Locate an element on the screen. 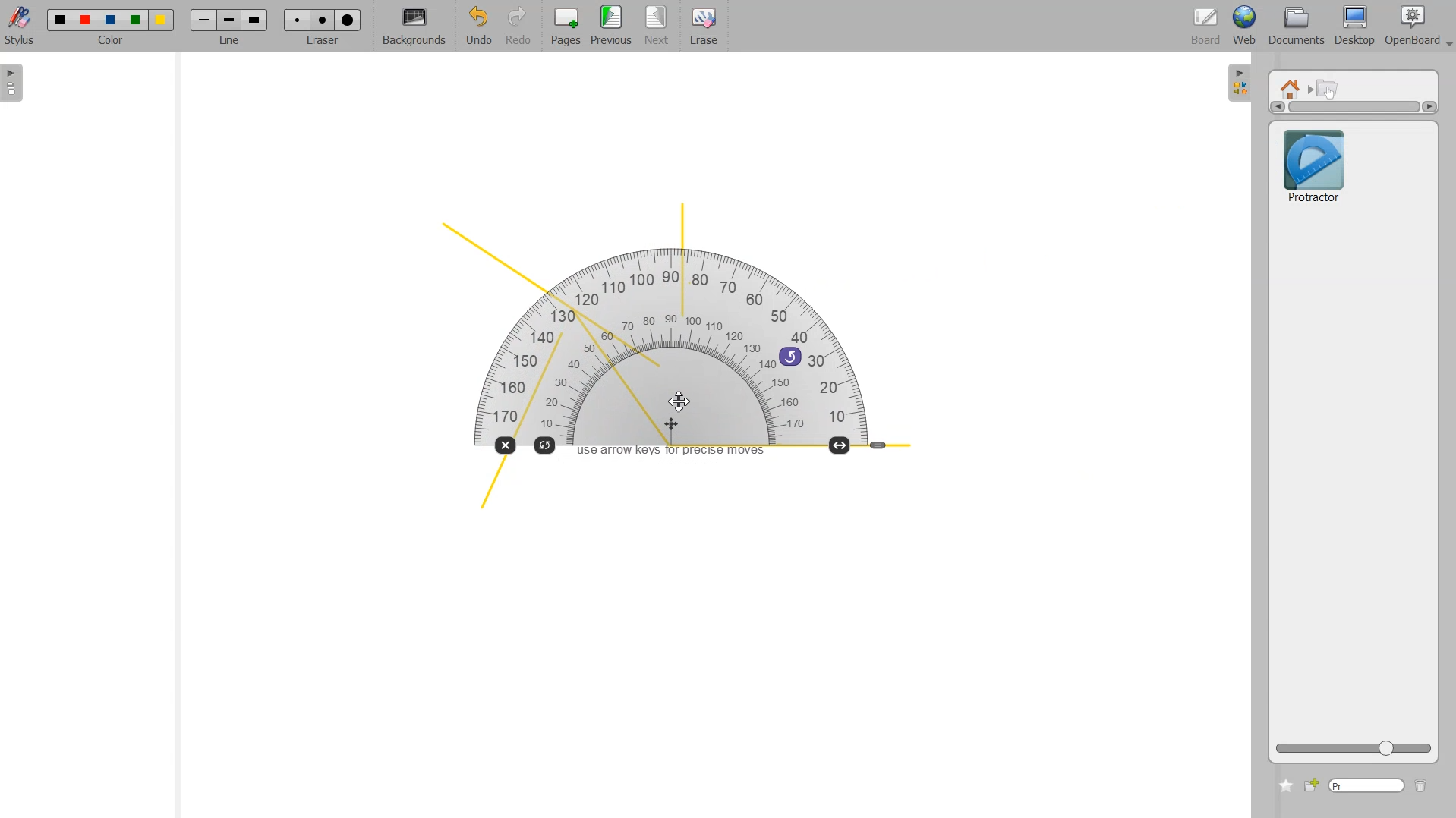 The image size is (1456, 818). eraser is located at coordinates (320, 45).